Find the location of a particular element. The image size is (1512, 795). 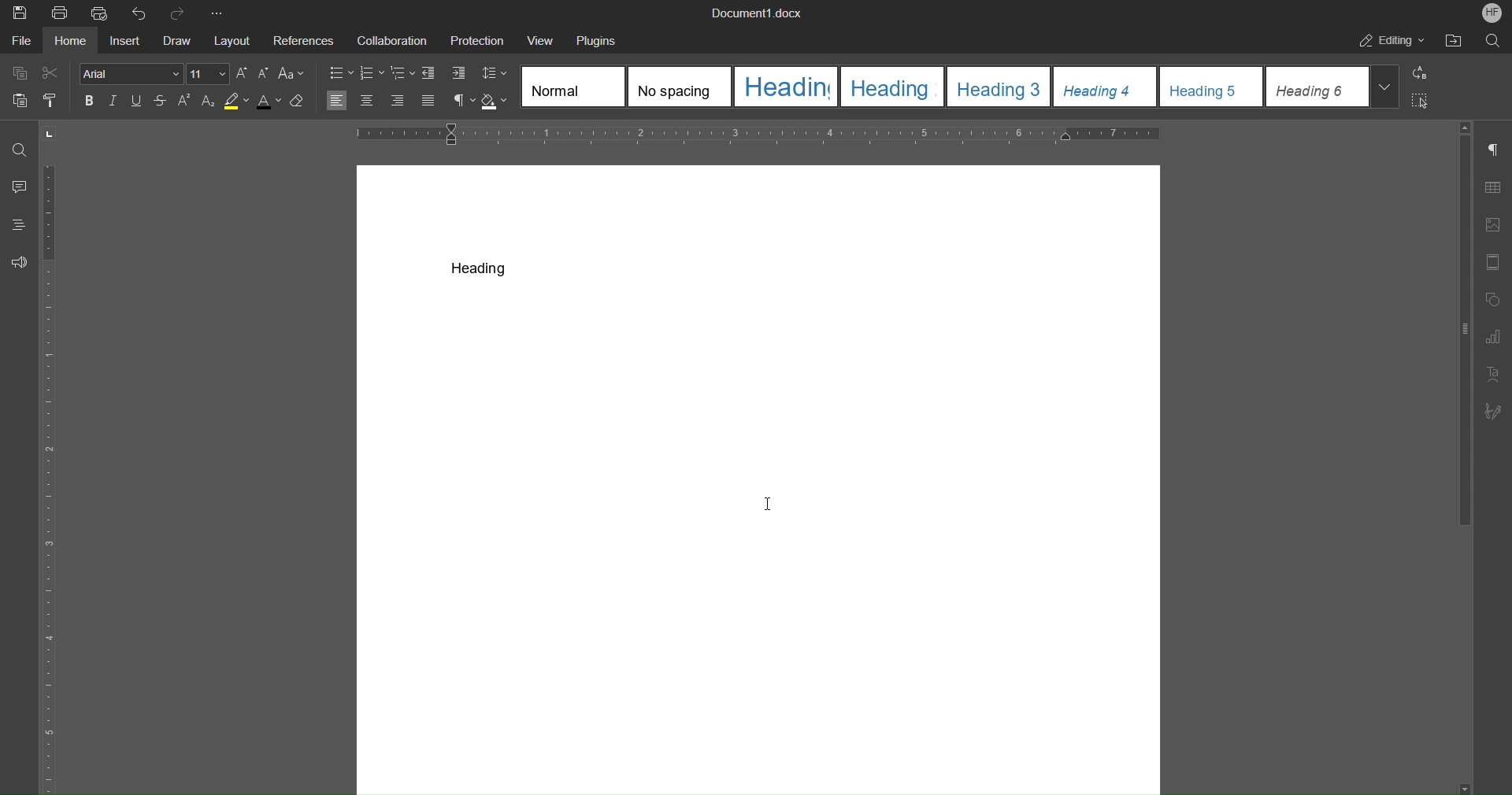

HF is located at coordinates (1489, 13).